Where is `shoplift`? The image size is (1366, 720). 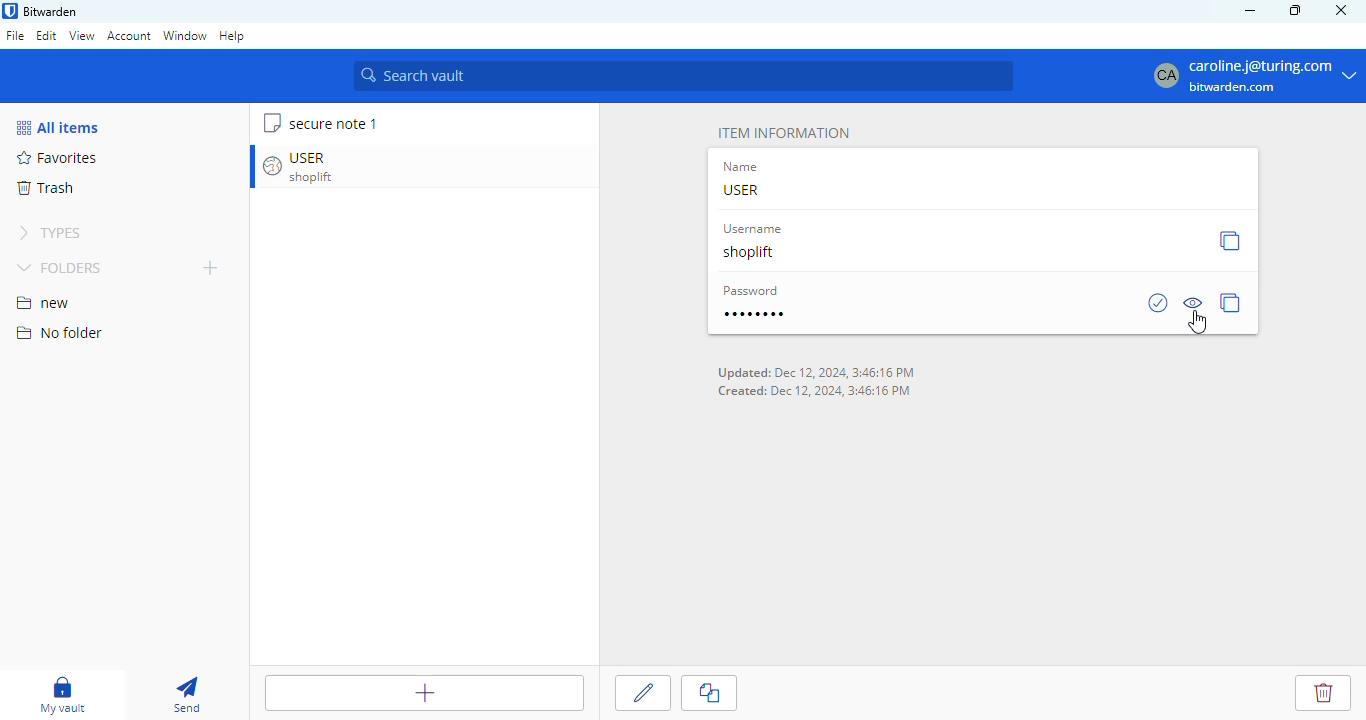 shoplift is located at coordinates (751, 253).